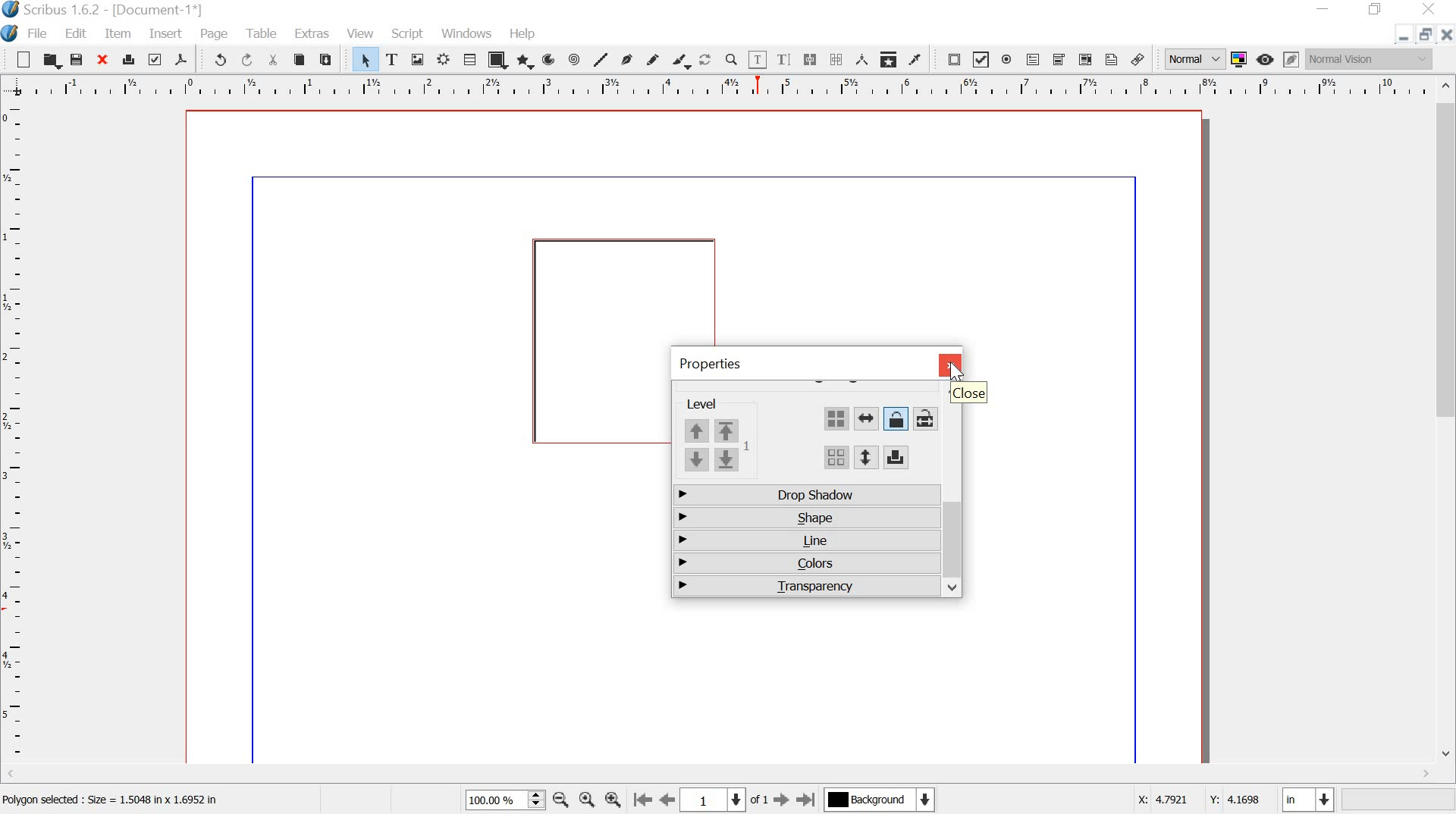  Describe the element at coordinates (536, 799) in the screenshot. I see `zoom in and out` at that location.